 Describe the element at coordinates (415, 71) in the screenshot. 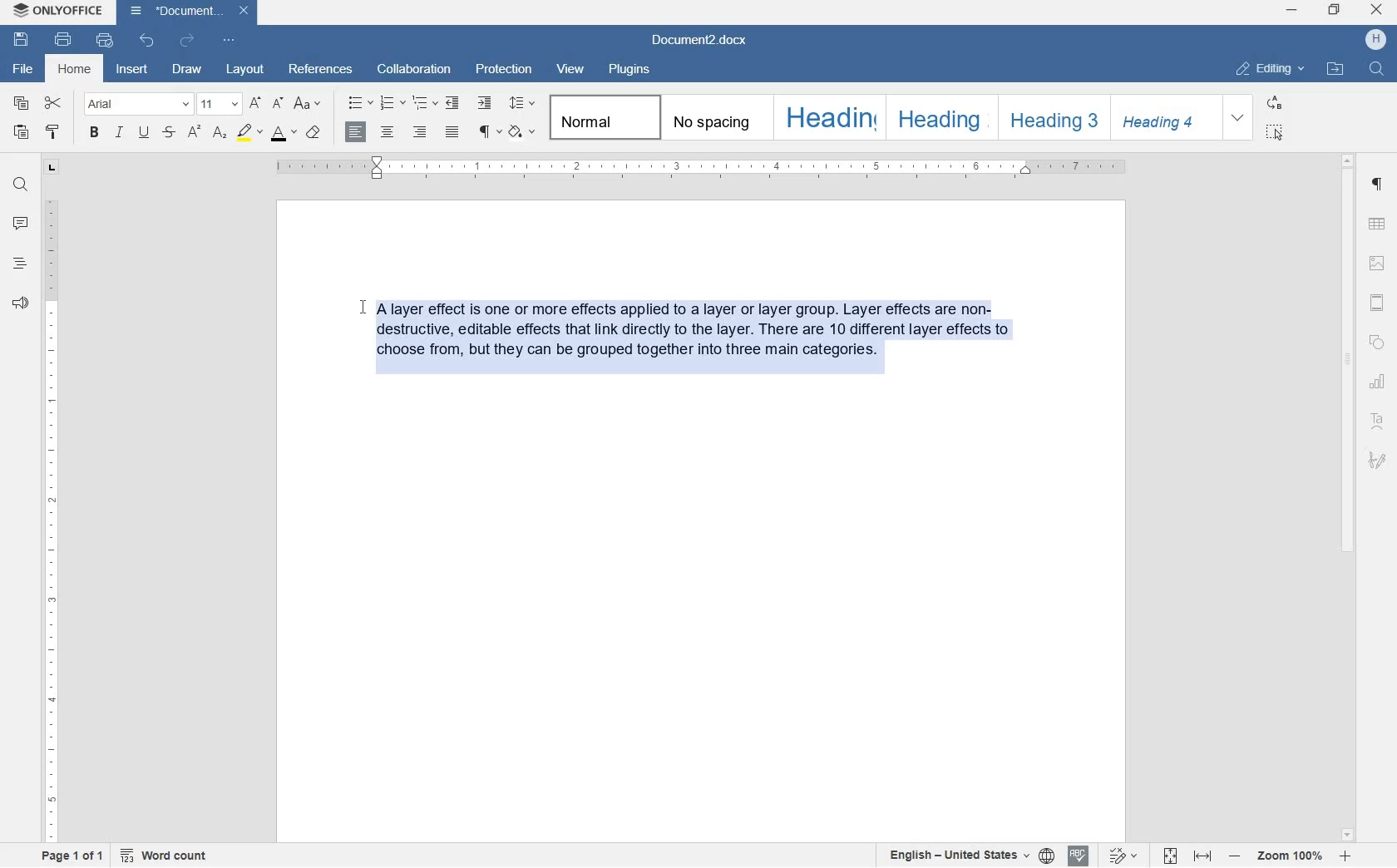

I see `collaboration` at that location.